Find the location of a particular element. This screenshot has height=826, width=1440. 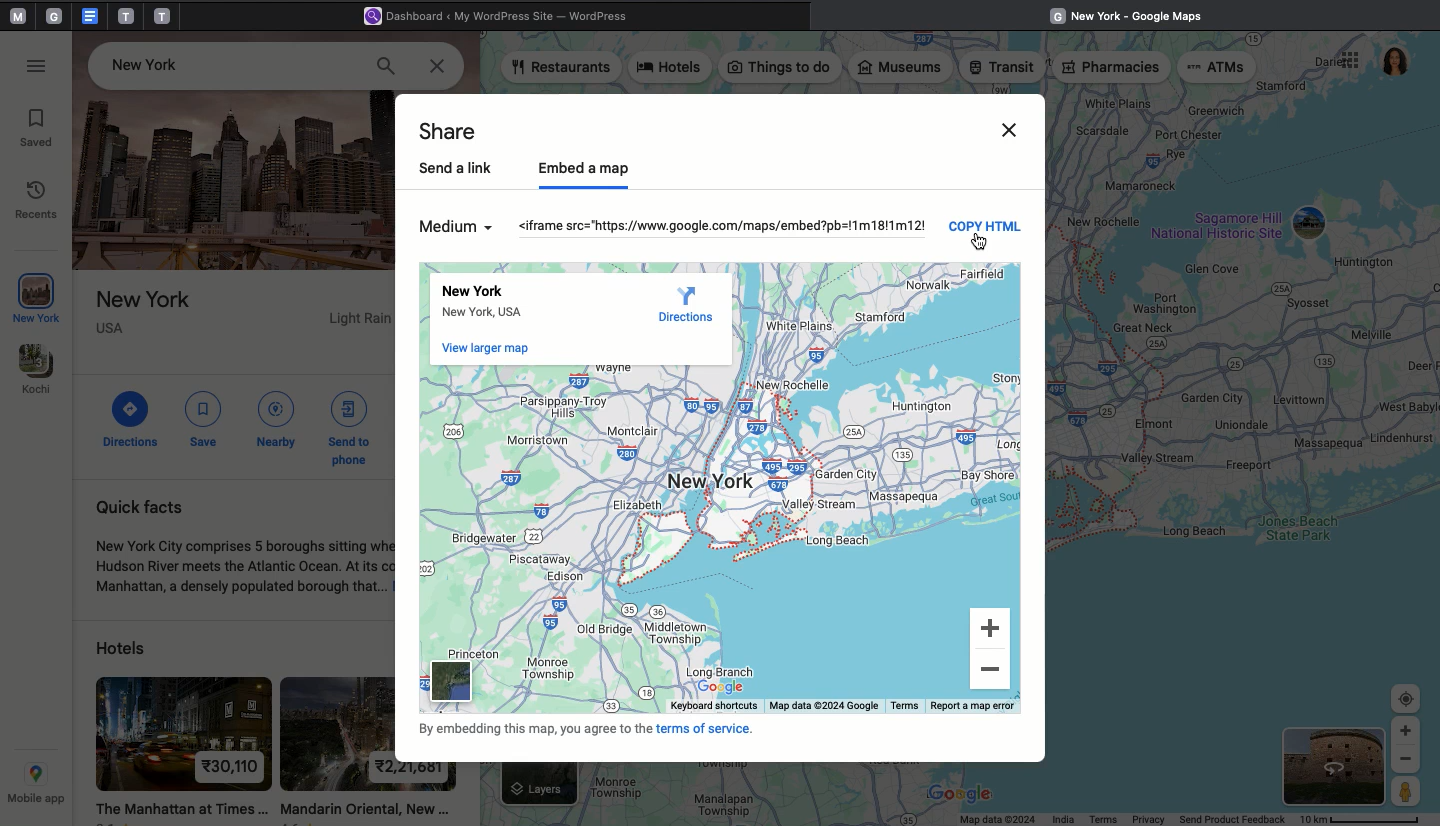

Send a link is located at coordinates (461, 169).